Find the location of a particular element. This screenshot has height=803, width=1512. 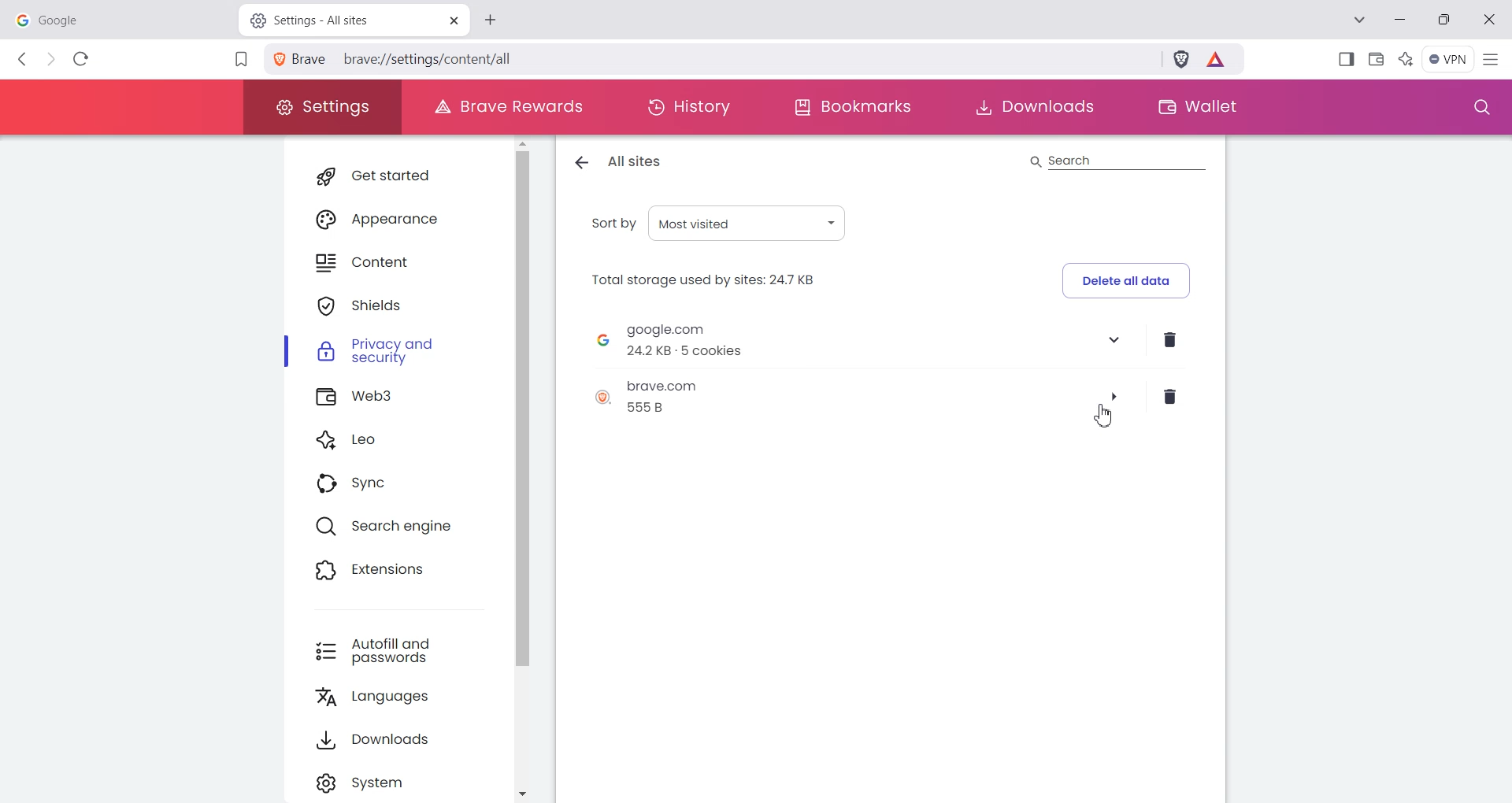

Wallet is located at coordinates (1195, 107).